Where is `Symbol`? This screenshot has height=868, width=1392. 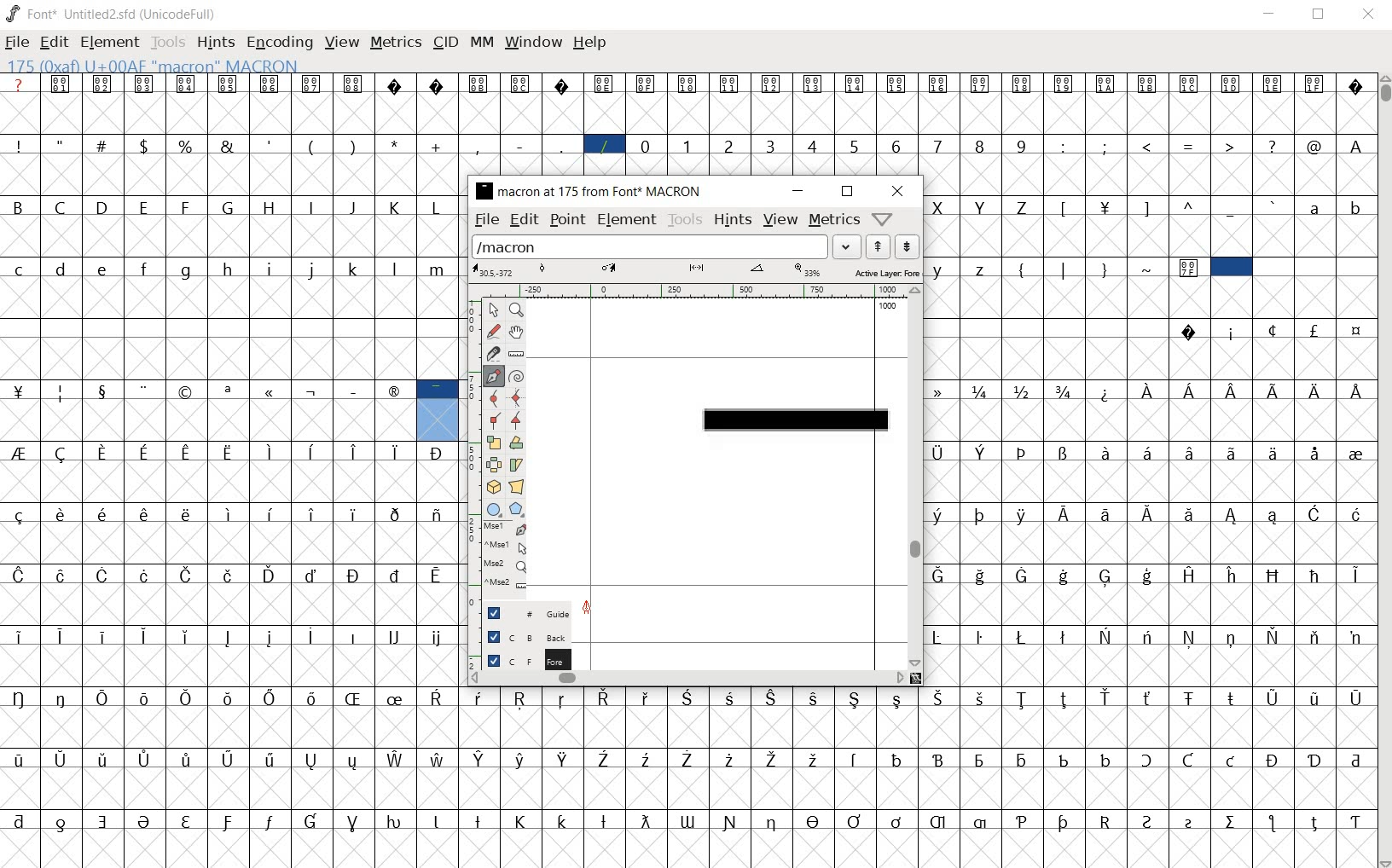 Symbol is located at coordinates (937, 819).